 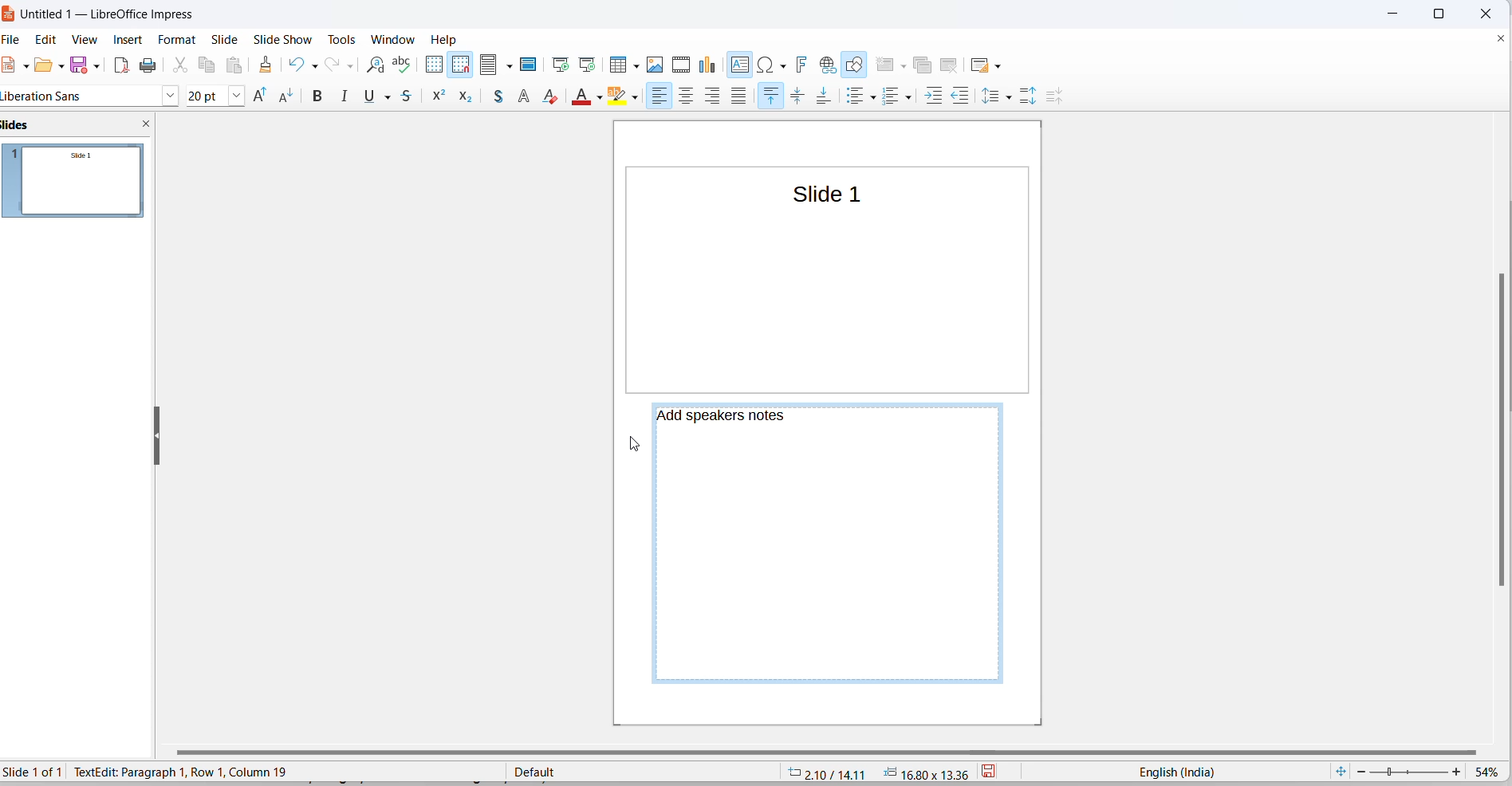 I want to click on symbol shapes, so click(x=376, y=97).